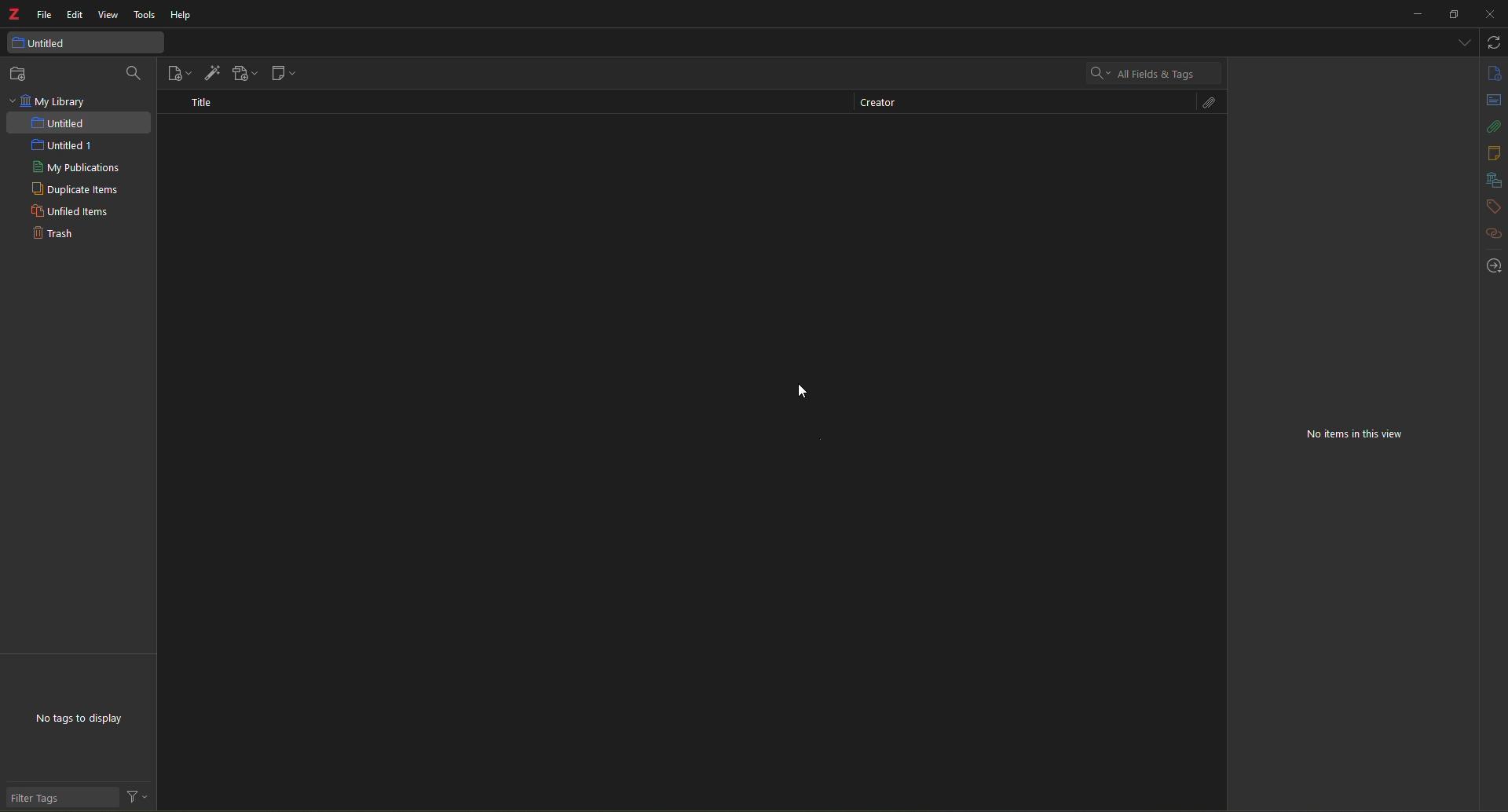 The width and height of the screenshot is (1508, 812). What do you see at coordinates (1448, 72) in the screenshot?
I see `find and replace` at bounding box center [1448, 72].